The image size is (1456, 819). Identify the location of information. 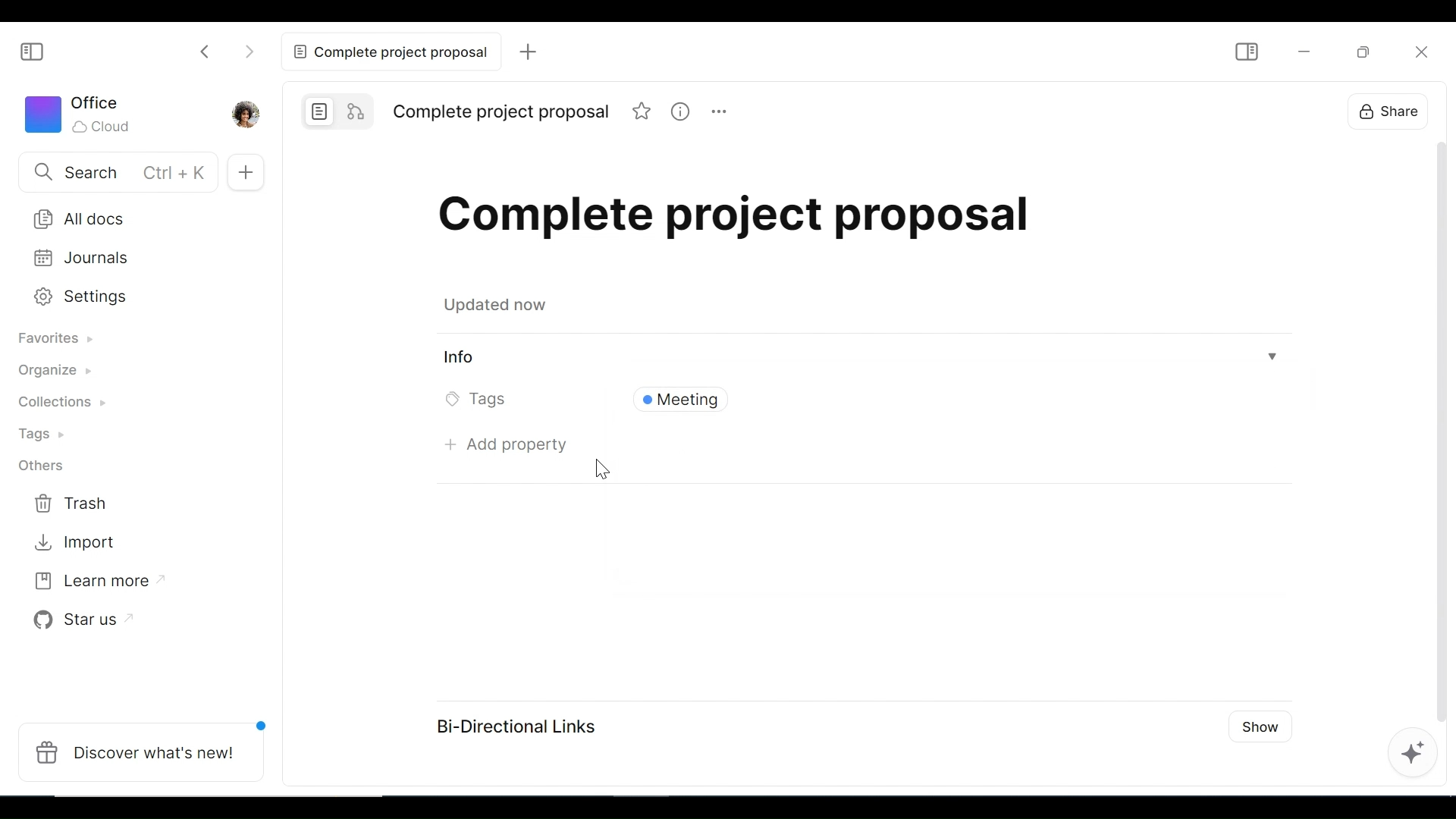
(682, 112).